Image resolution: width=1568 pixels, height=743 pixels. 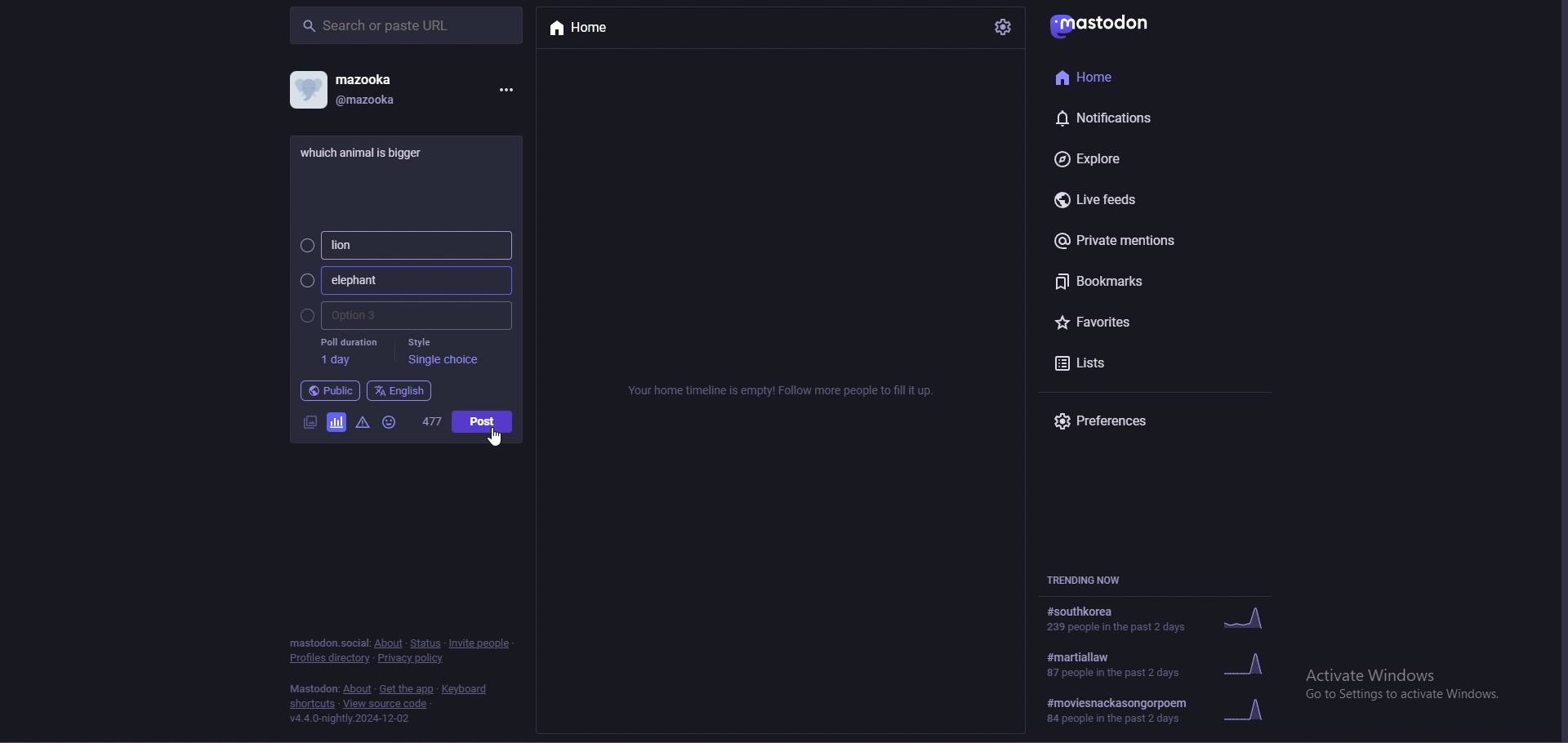 What do you see at coordinates (595, 29) in the screenshot?
I see `home` at bounding box center [595, 29].